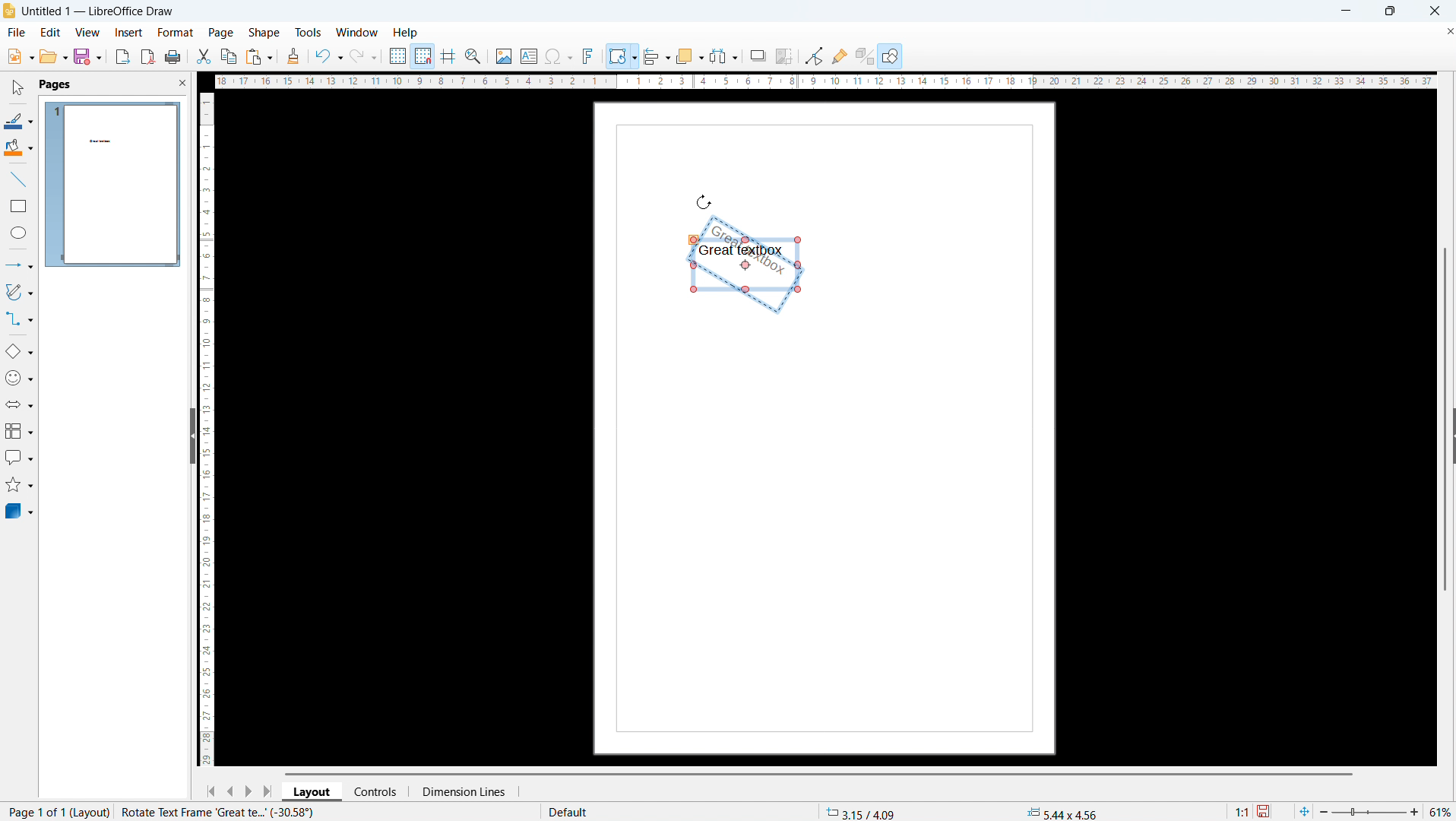 Image resolution: width=1456 pixels, height=821 pixels. What do you see at coordinates (1063, 812) in the screenshot?
I see `object dimension` at bounding box center [1063, 812].